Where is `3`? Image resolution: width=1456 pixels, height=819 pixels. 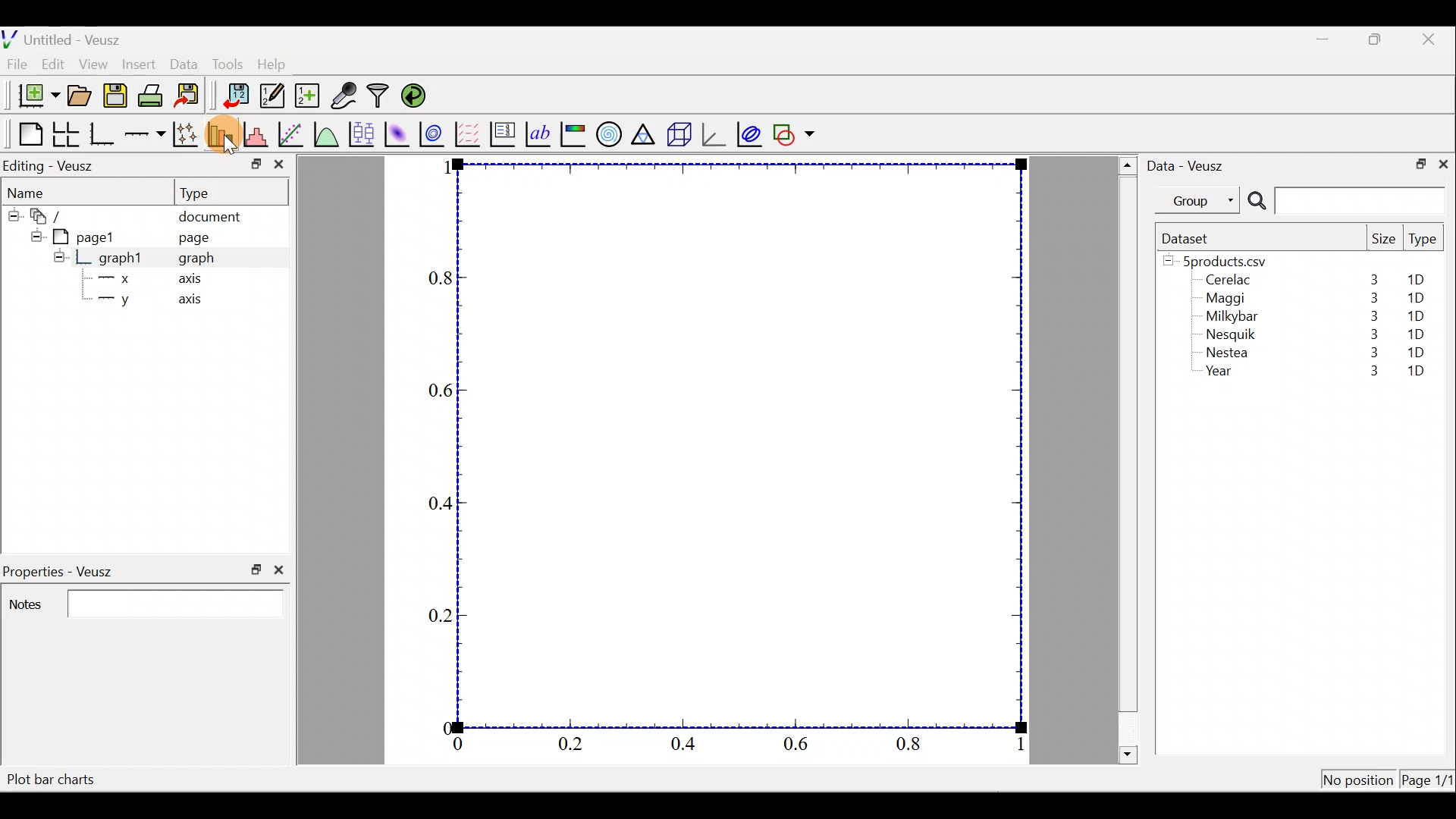
3 is located at coordinates (1370, 298).